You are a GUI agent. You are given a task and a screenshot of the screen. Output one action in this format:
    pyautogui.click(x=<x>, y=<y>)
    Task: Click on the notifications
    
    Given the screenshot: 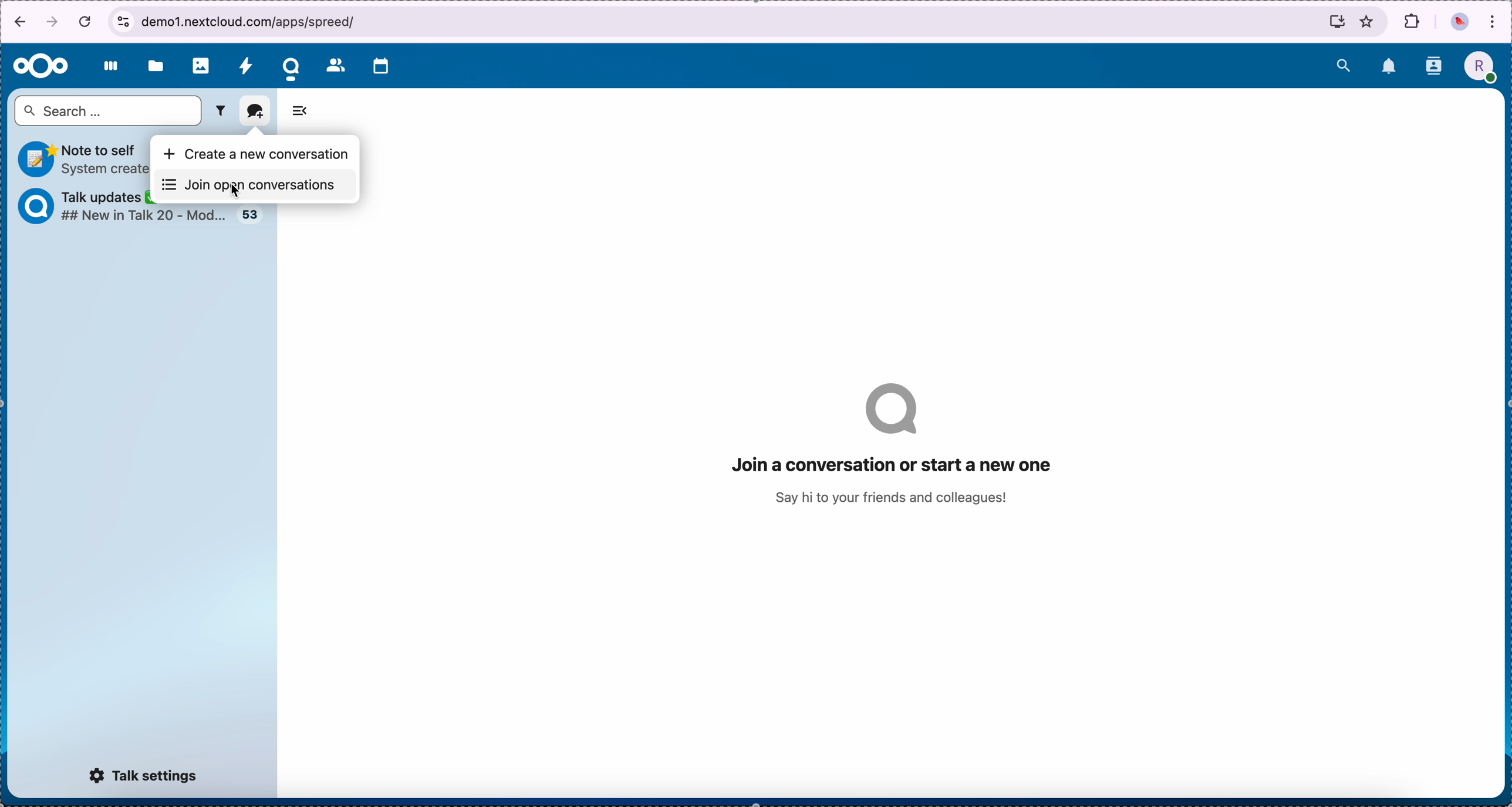 What is the action you would take?
    pyautogui.click(x=1389, y=67)
    